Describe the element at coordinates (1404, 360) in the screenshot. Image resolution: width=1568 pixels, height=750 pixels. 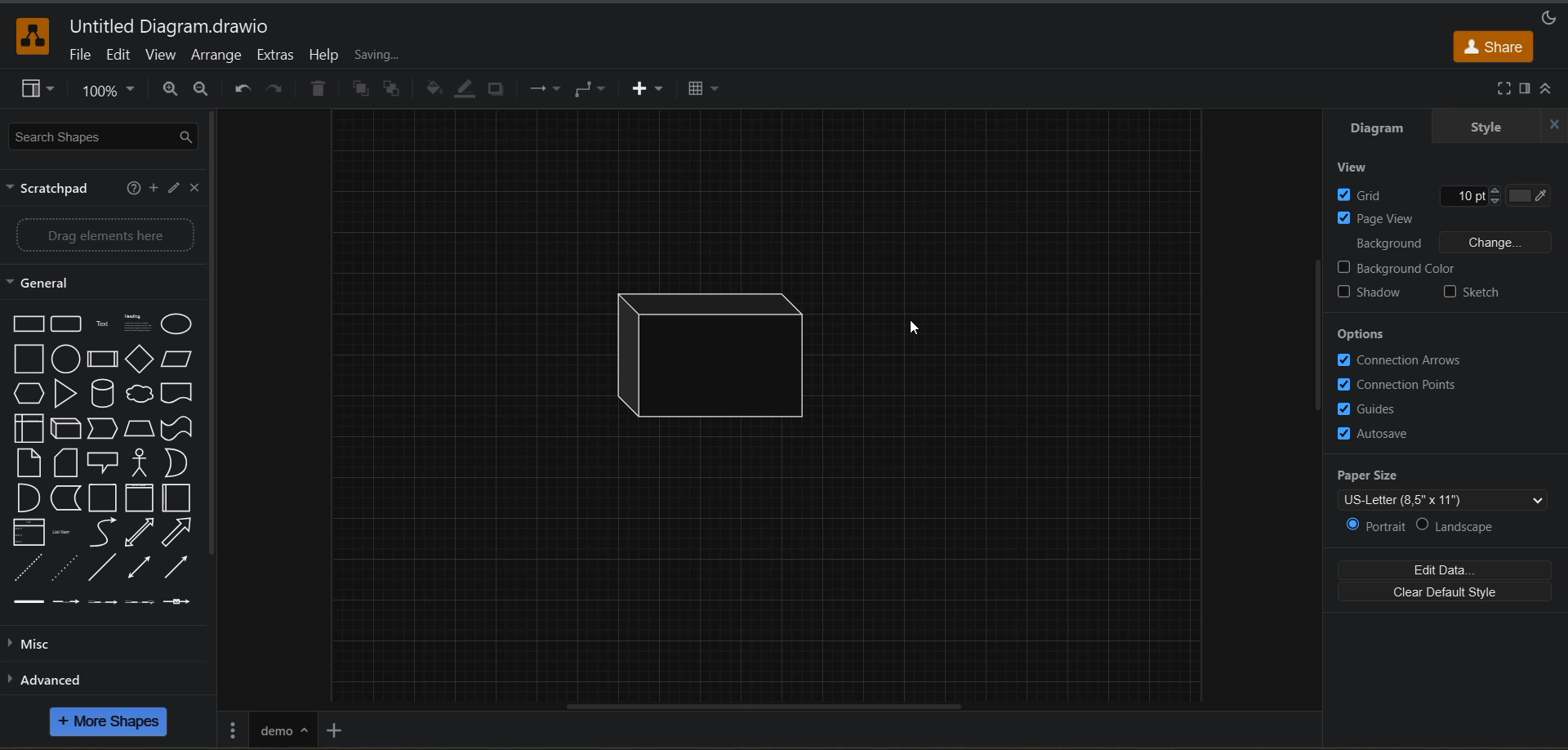
I see `connection arrows` at that location.